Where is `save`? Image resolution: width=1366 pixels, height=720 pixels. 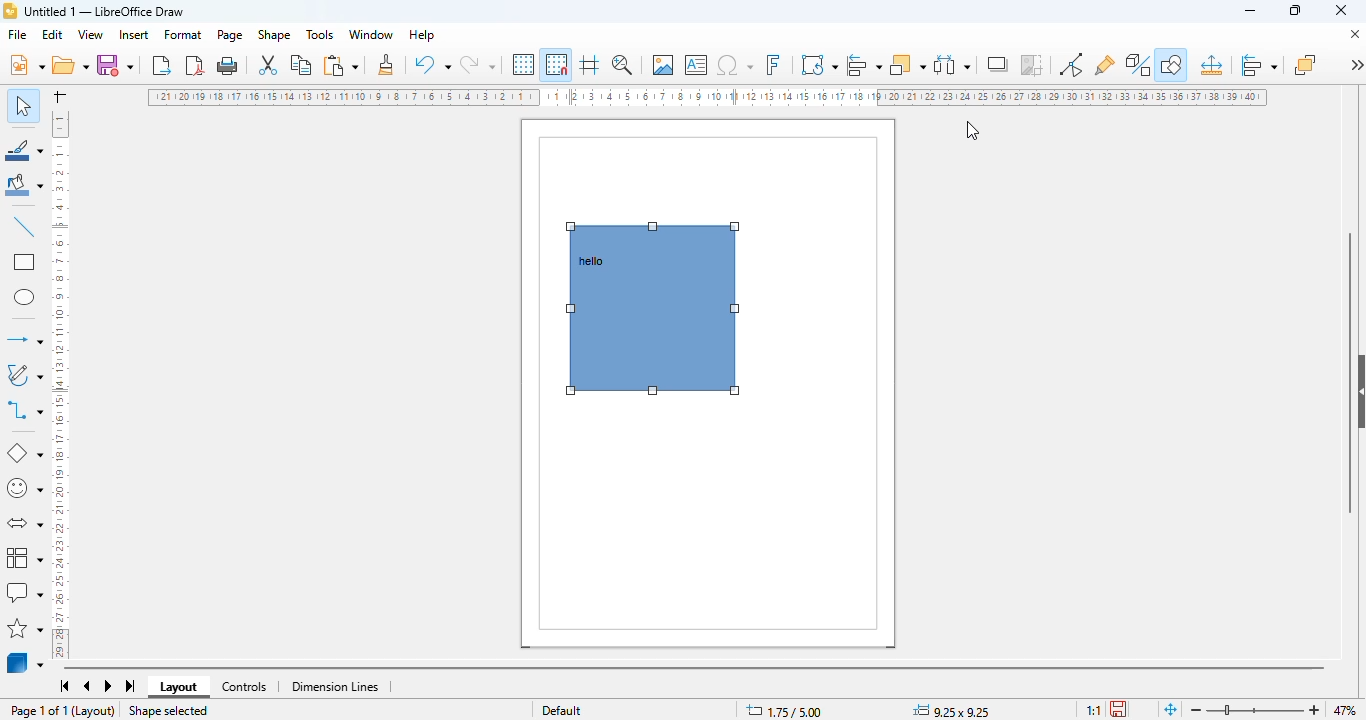
save is located at coordinates (114, 64).